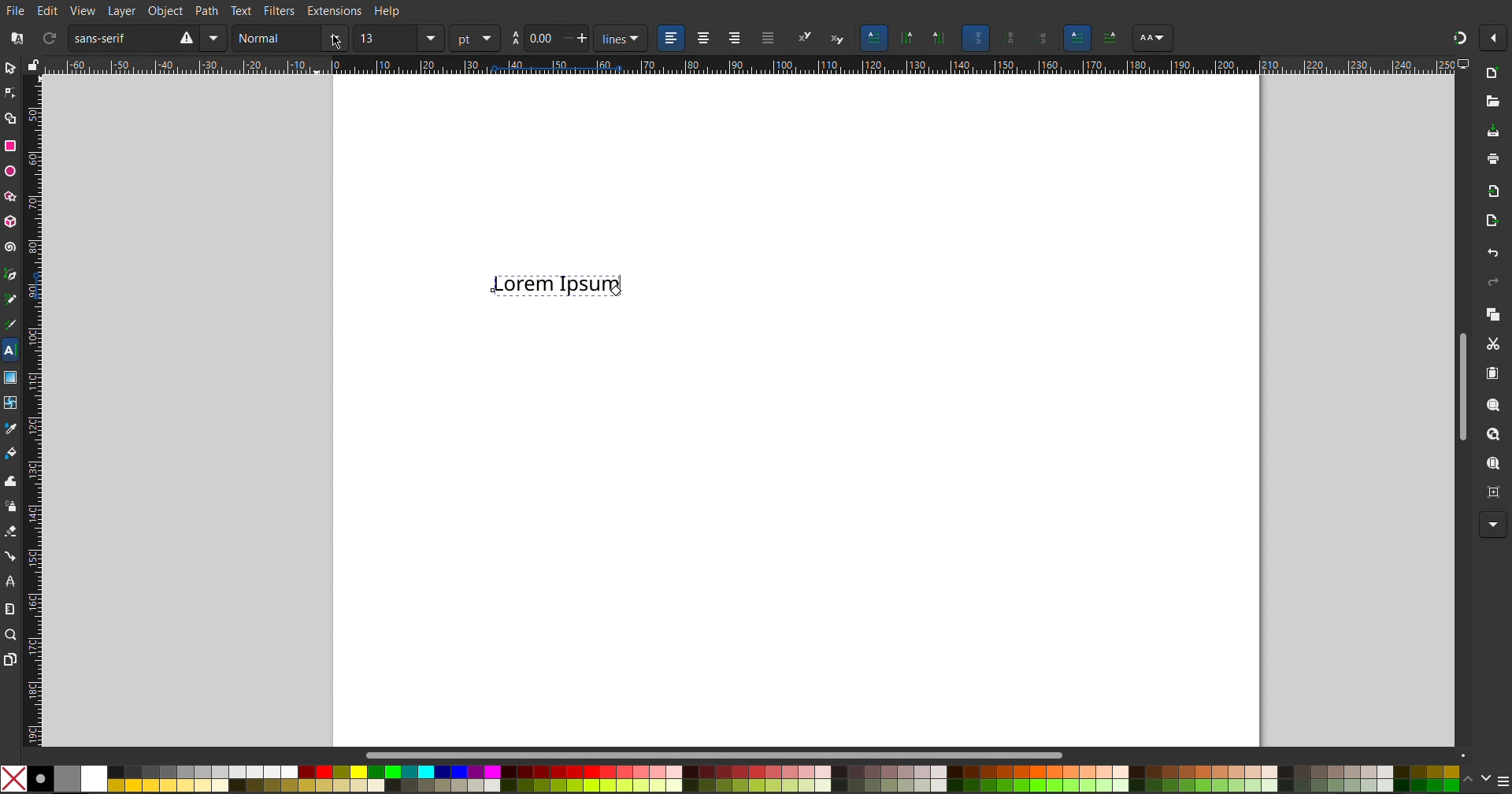 This screenshot has width=1512, height=794. Describe the element at coordinates (1492, 343) in the screenshot. I see `Cut` at that location.